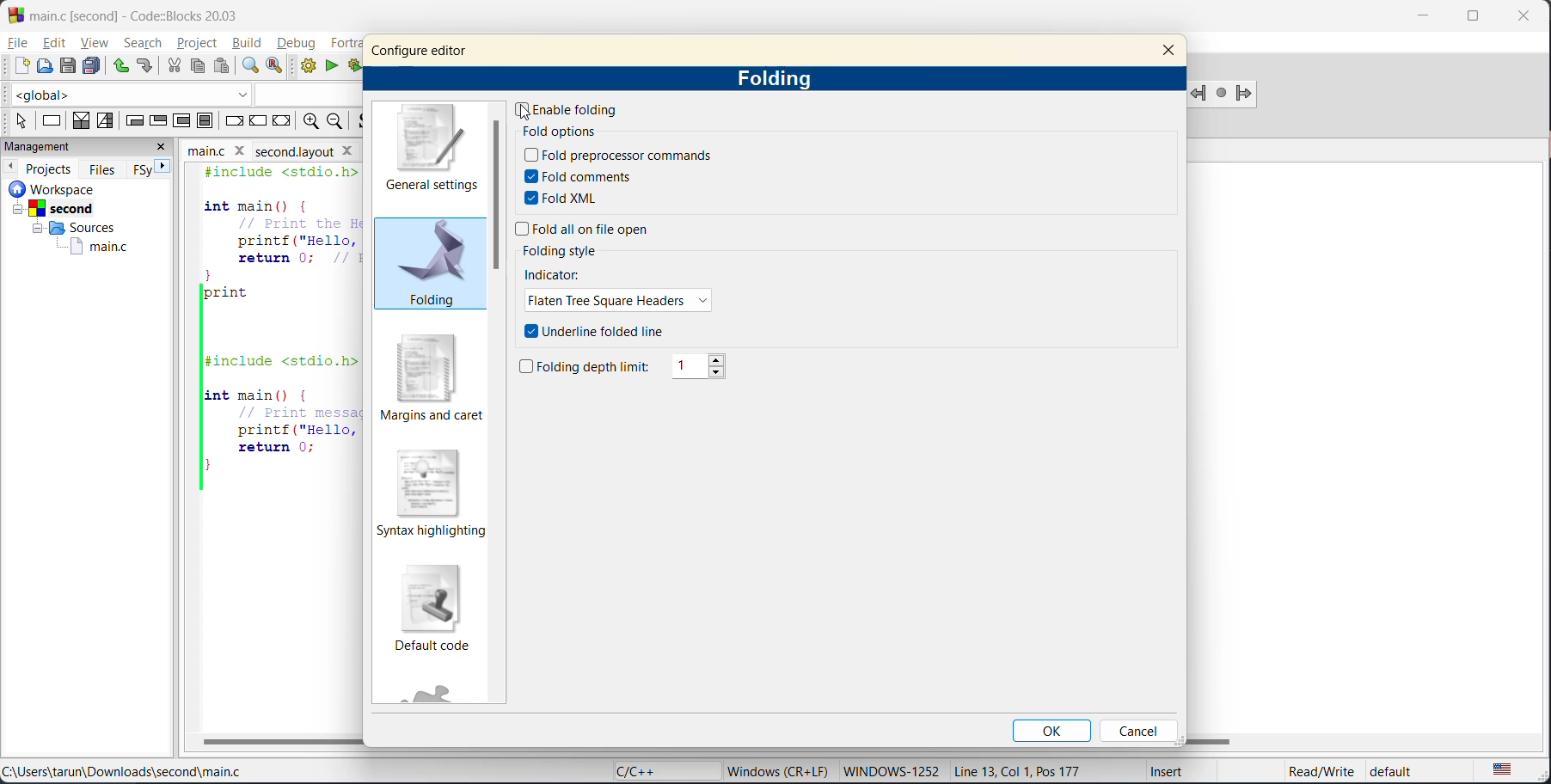  Describe the element at coordinates (251, 66) in the screenshot. I see `find` at that location.